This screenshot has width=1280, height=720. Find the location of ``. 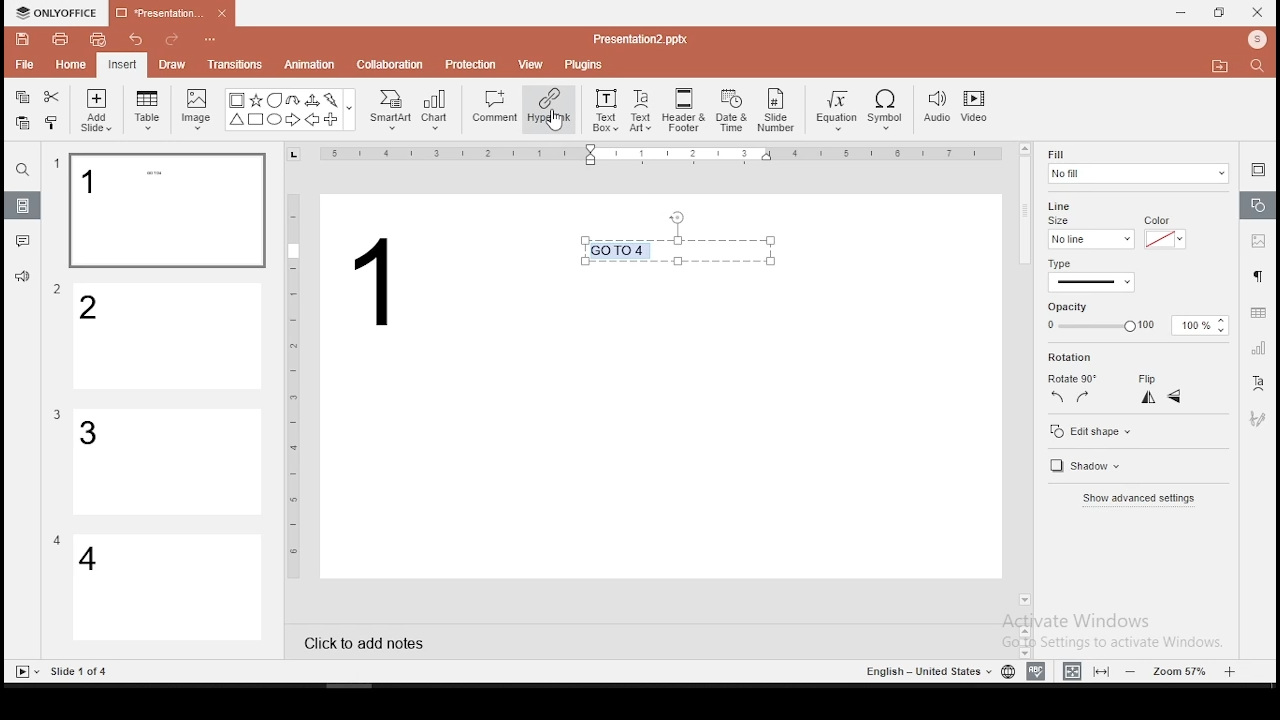

 is located at coordinates (57, 415).